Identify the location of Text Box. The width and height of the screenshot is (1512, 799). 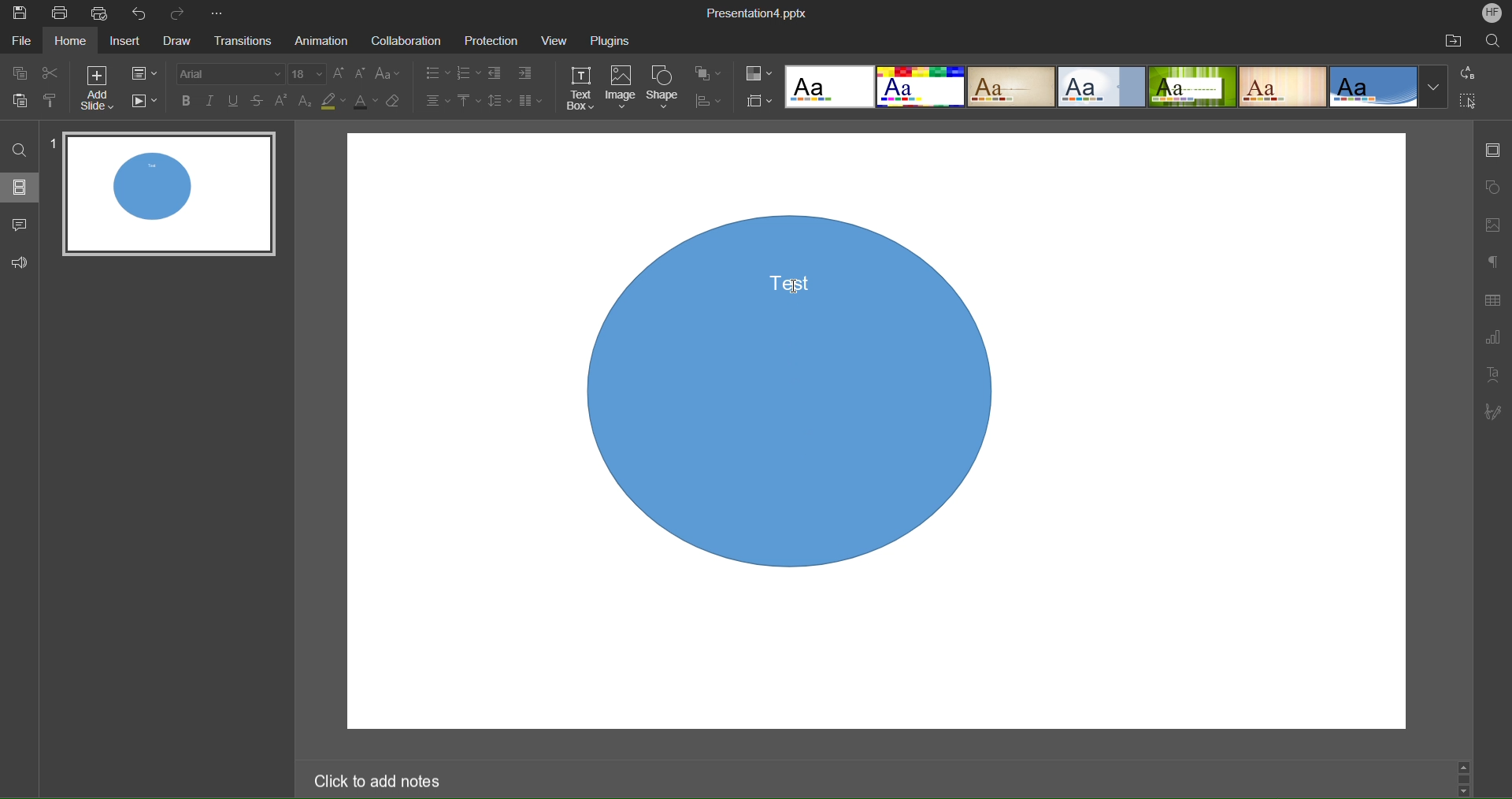
(582, 88).